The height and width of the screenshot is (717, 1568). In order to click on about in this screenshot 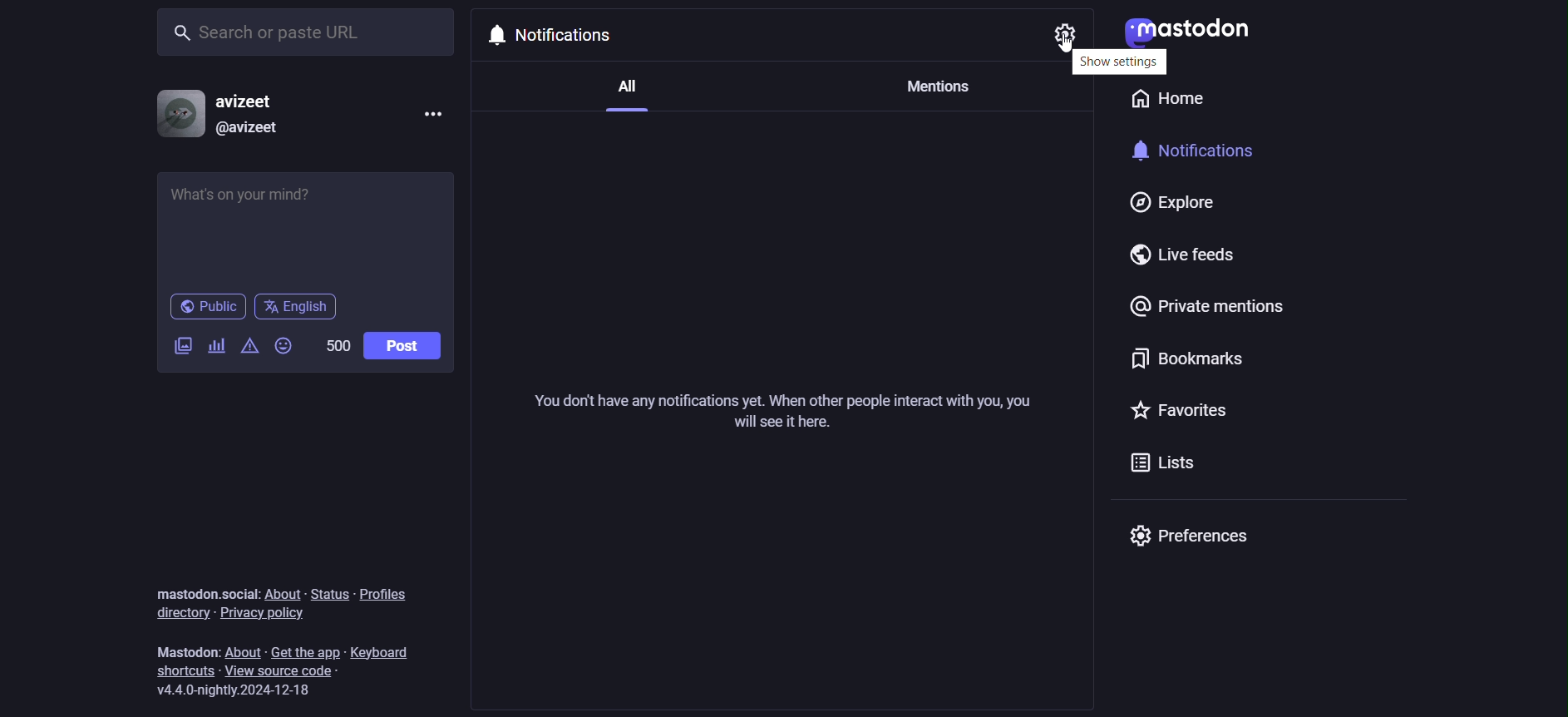, I will do `click(281, 591)`.